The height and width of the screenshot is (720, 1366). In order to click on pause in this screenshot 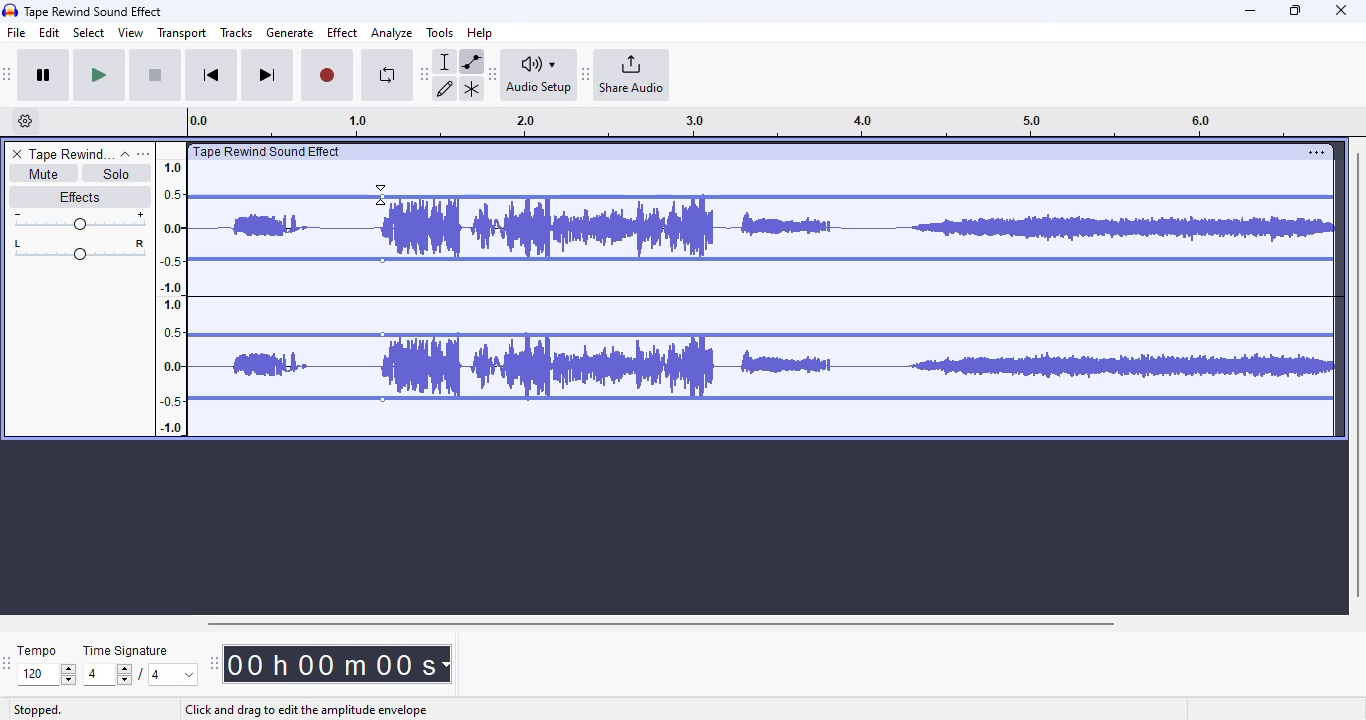, I will do `click(44, 76)`.